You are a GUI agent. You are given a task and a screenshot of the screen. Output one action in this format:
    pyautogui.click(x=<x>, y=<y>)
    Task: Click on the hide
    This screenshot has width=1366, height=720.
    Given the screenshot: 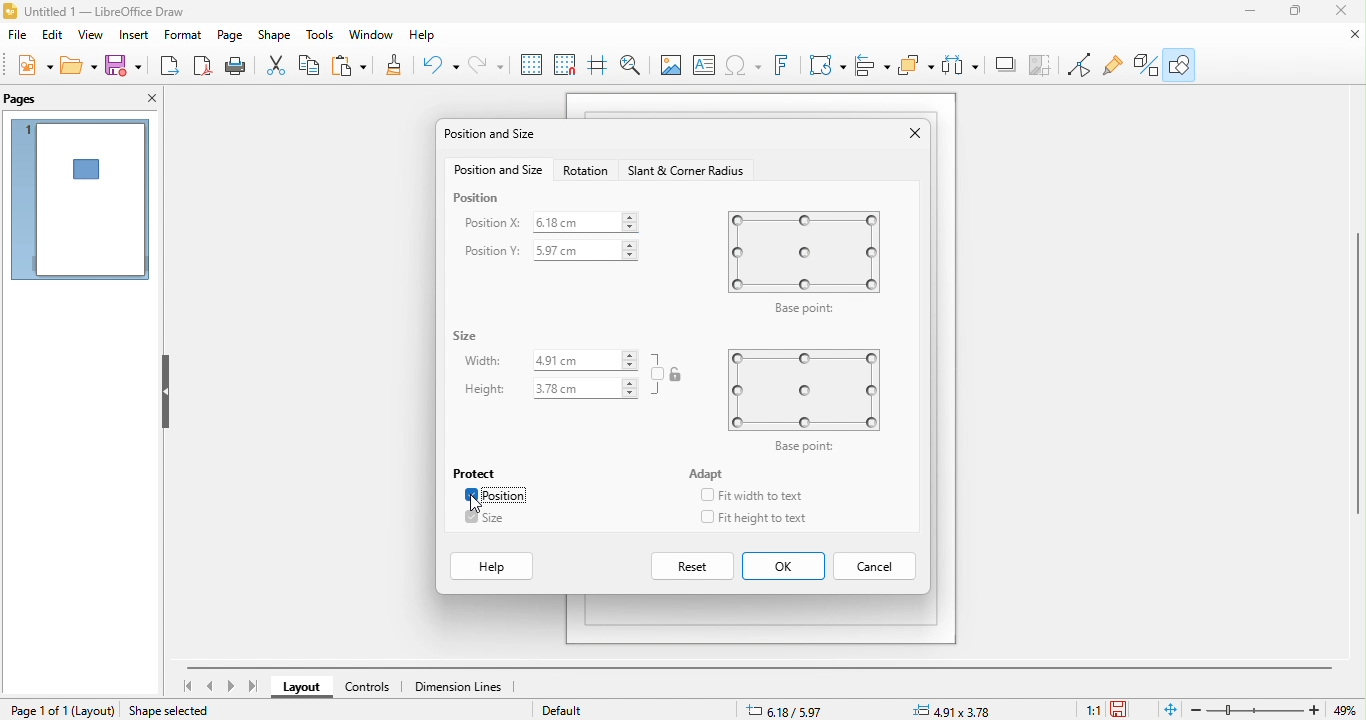 What is the action you would take?
    pyautogui.click(x=163, y=393)
    